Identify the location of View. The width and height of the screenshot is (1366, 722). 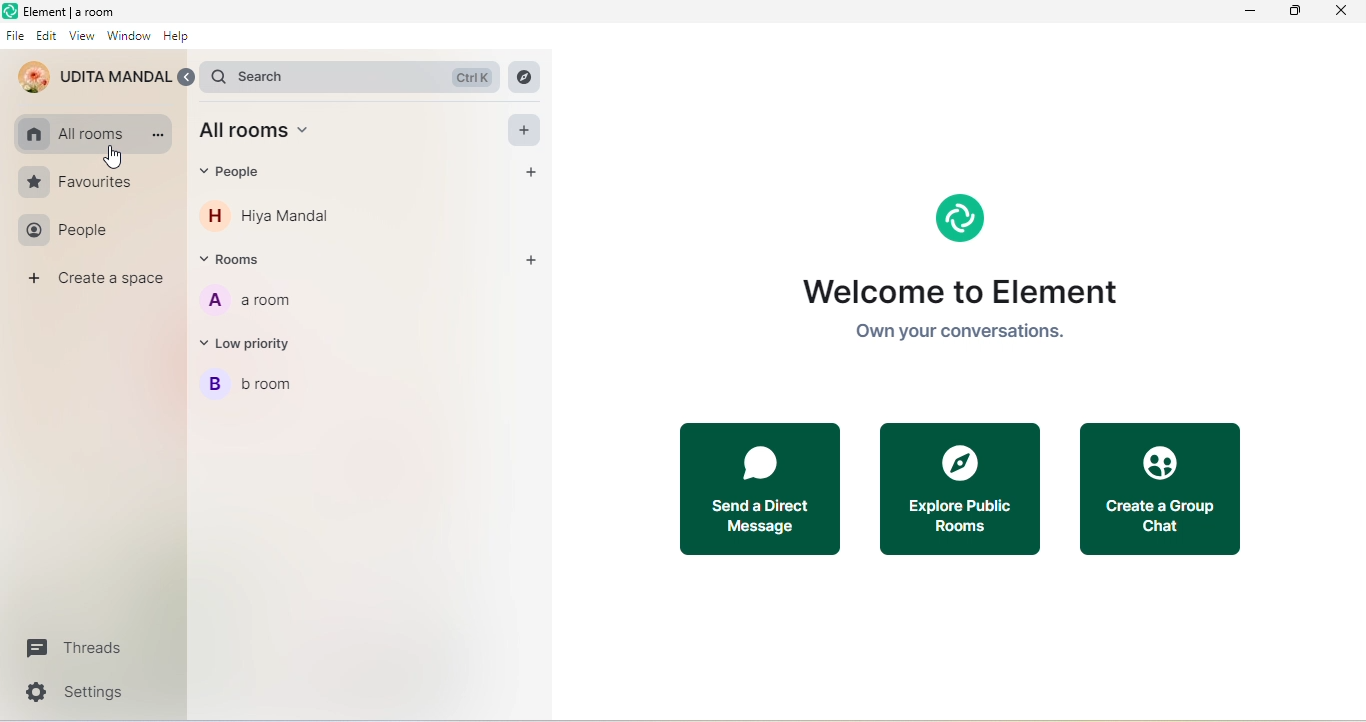
(83, 37).